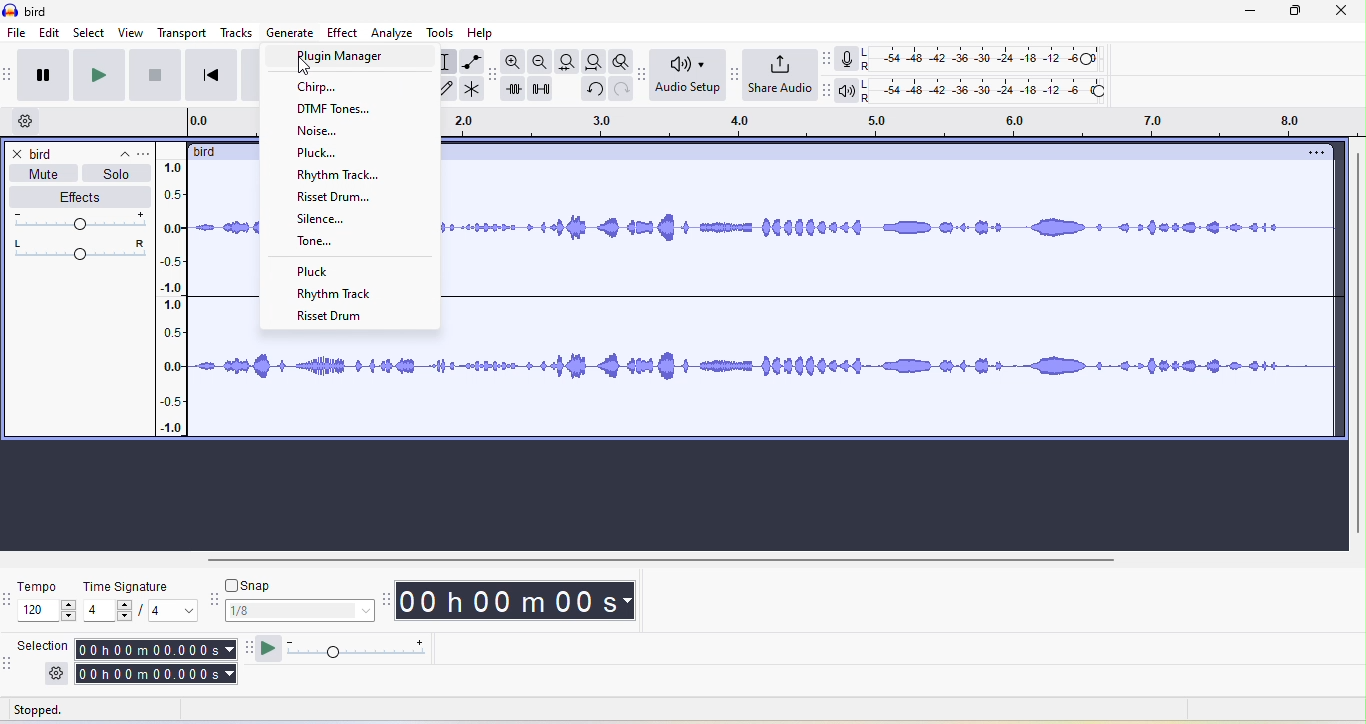 The image size is (1366, 724). What do you see at coordinates (596, 61) in the screenshot?
I see `fit project to width` at bounding box center [596, 61].